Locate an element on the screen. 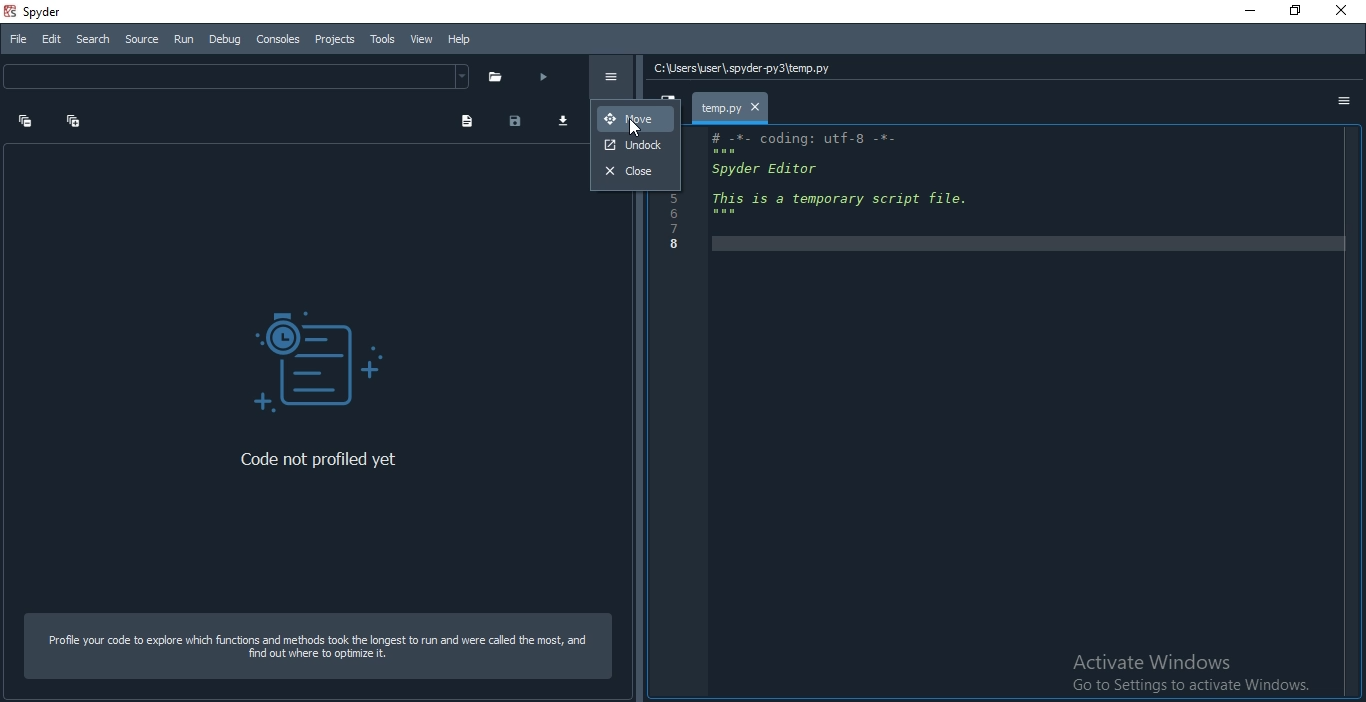 This screenshot has height=702, width=1366. spyder is located at coordinates (43, 11).